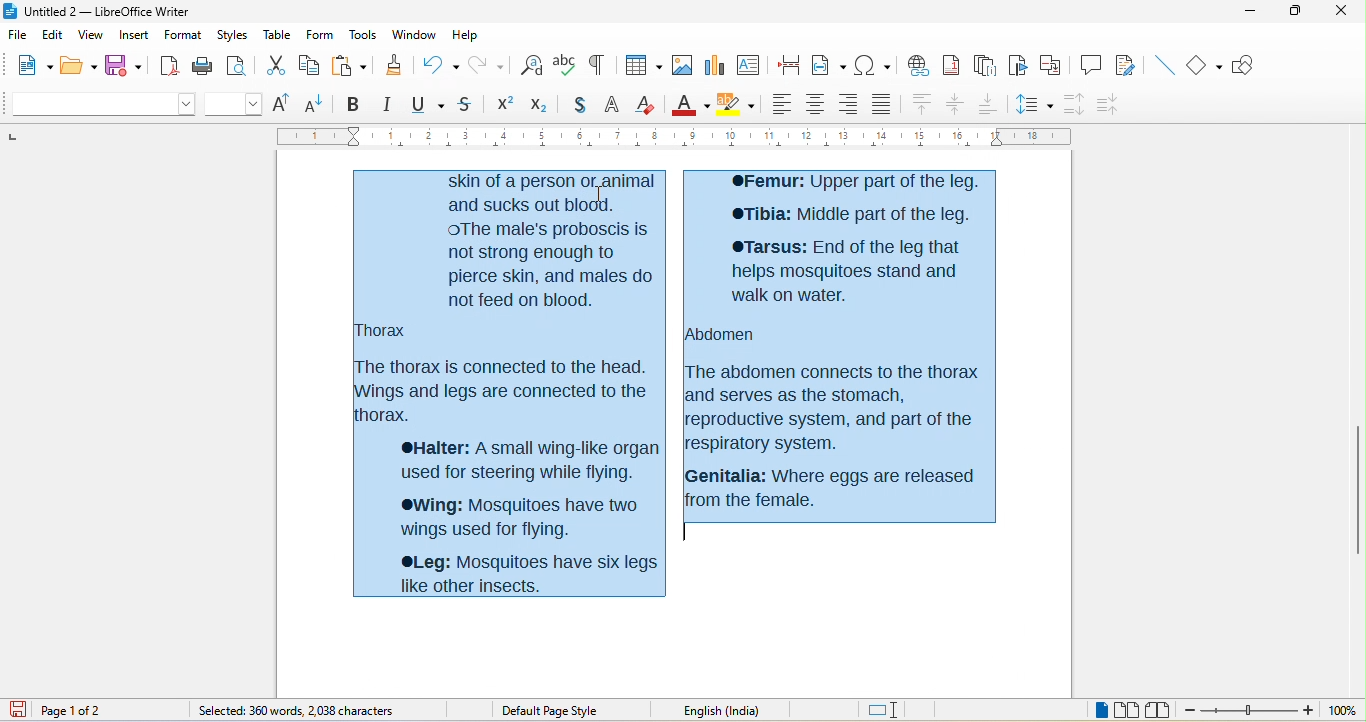 The width and height of the screenshot is (1366, 722). What do you see at coordinates (100, 10) in the screenshot?
I see `untitled 2 - libreoffice writer` at bounding box center [100, 10].